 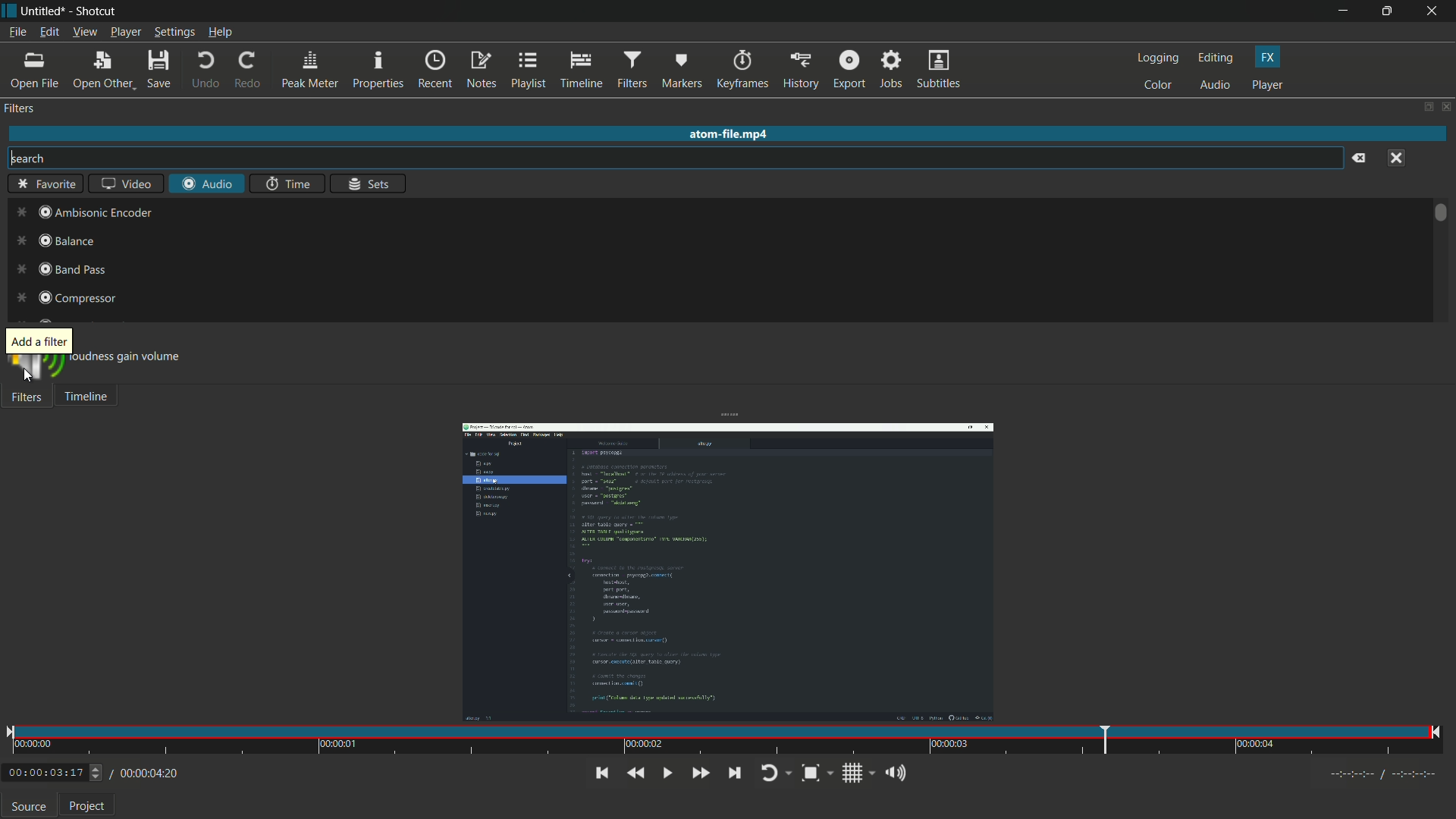 What do you see at coordinates (859, 774) in the screenshot?
I see `toggle grid` at bounding box center [859, 774].